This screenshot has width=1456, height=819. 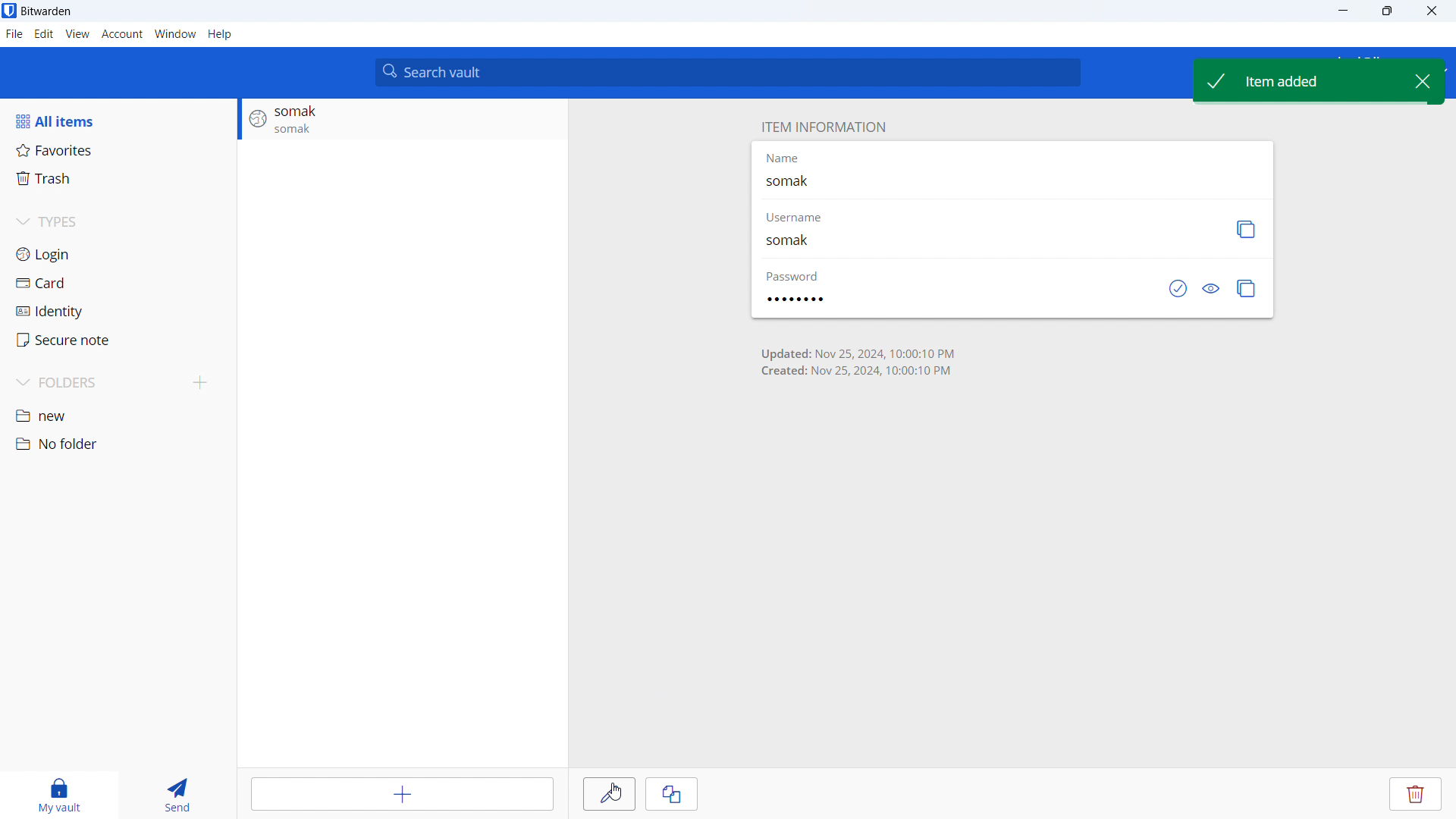 What do you see at coordinates (44, 34) in the screenshot?
I see `edit` at bounding box center [44, 34].